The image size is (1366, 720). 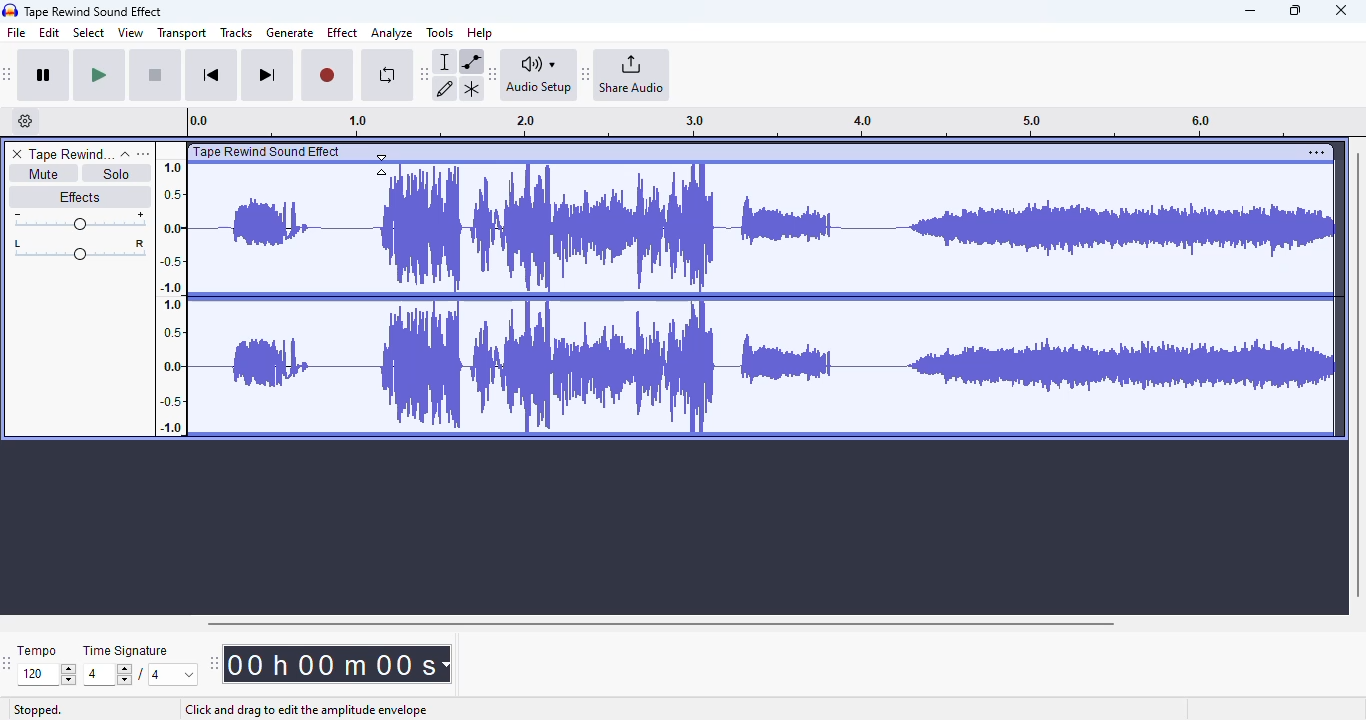 What do you see at coordinates (447, 61) in the screenshot?
I see `selection tool` at bounding box center [447, 61].